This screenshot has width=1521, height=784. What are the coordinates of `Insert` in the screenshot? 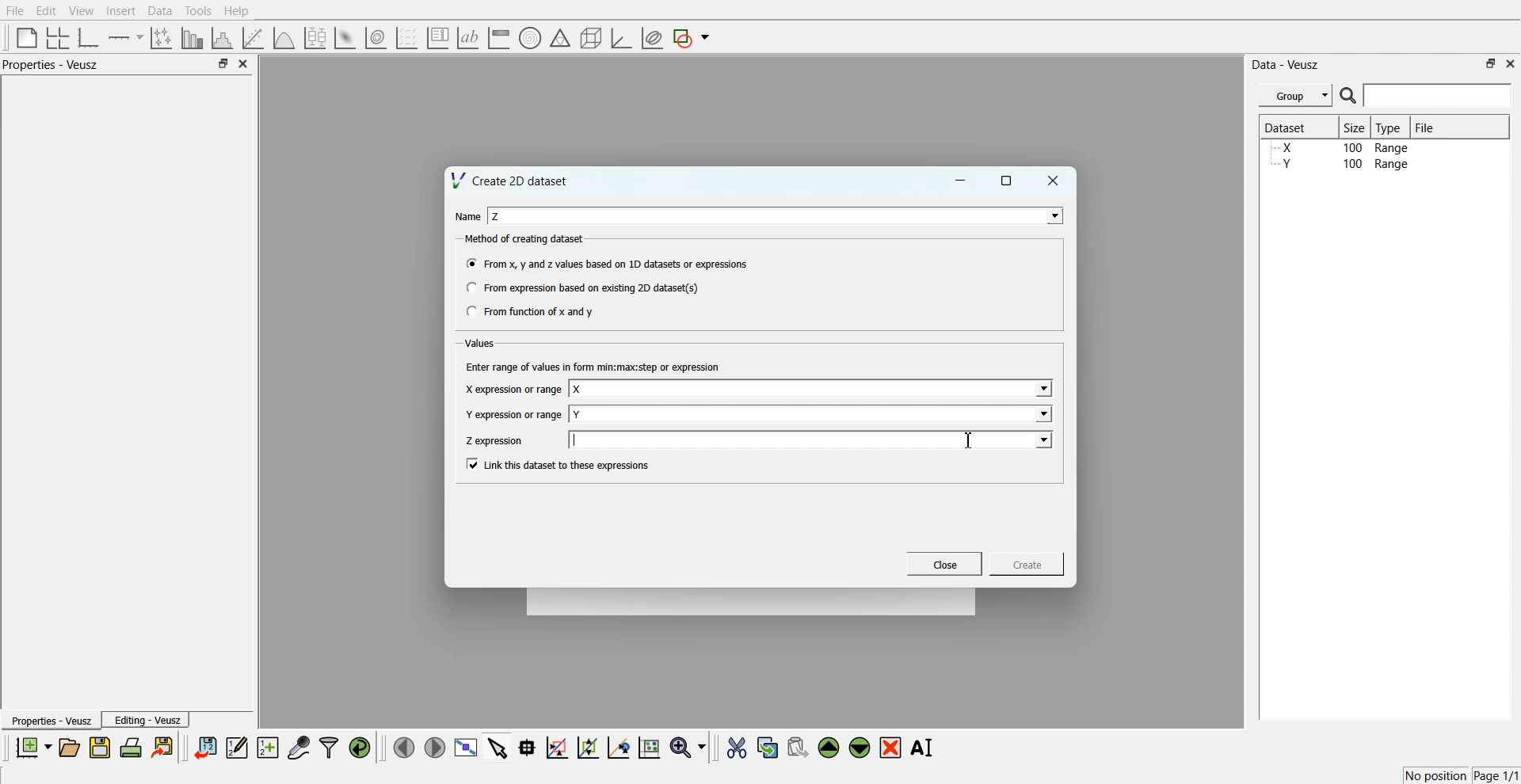 It's located at (120, 10).